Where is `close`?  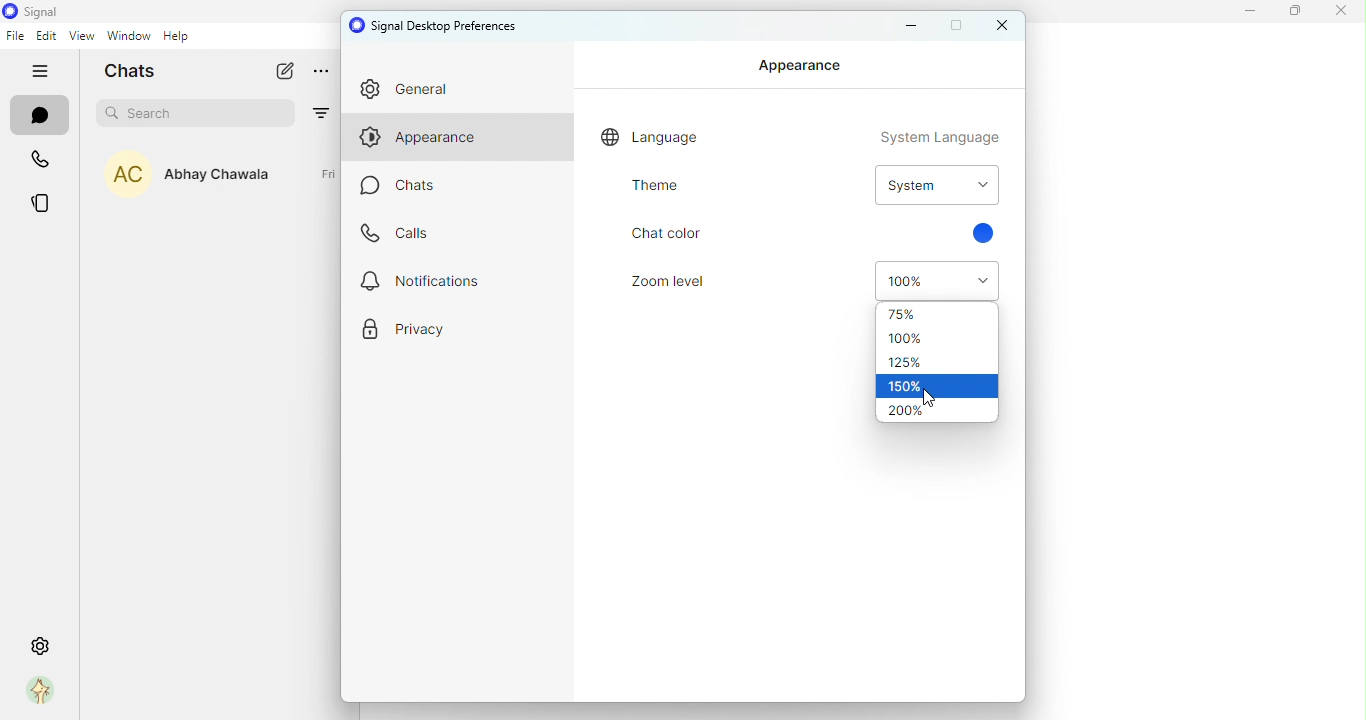
close is located at coordinates (1345, 14).